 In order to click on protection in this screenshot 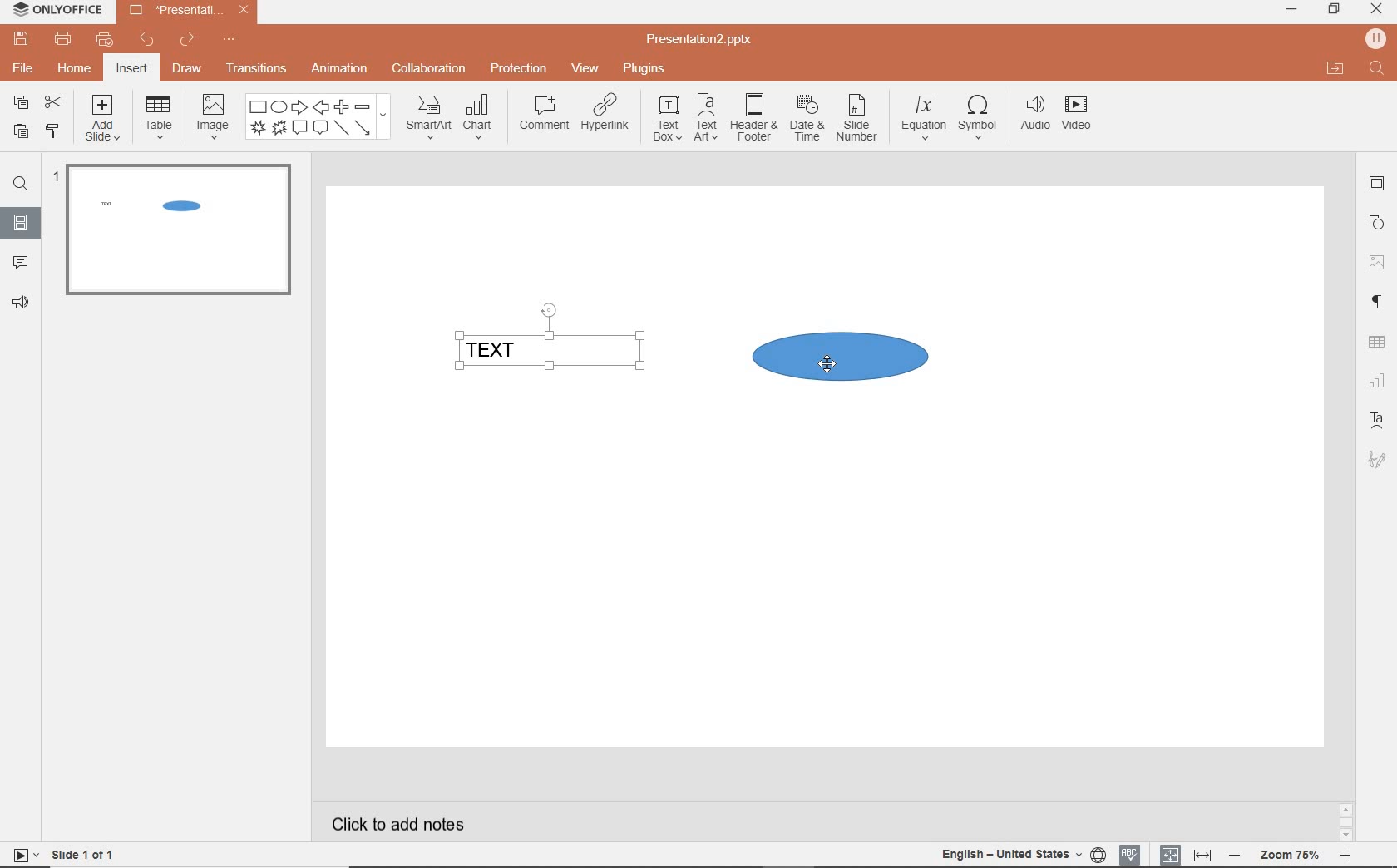, I will do `click(518, 68)`.